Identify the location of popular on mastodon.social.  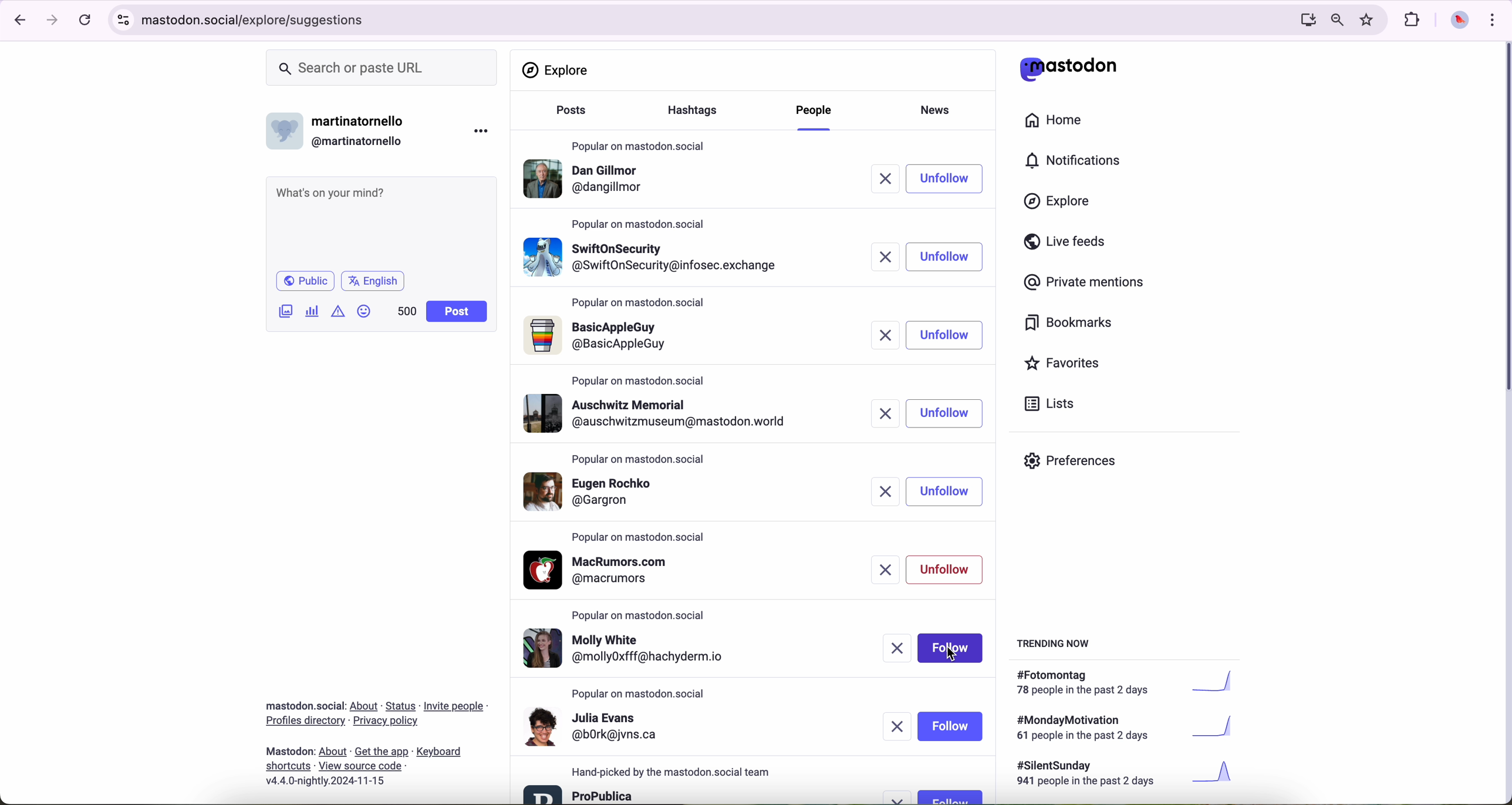
(639, 143).